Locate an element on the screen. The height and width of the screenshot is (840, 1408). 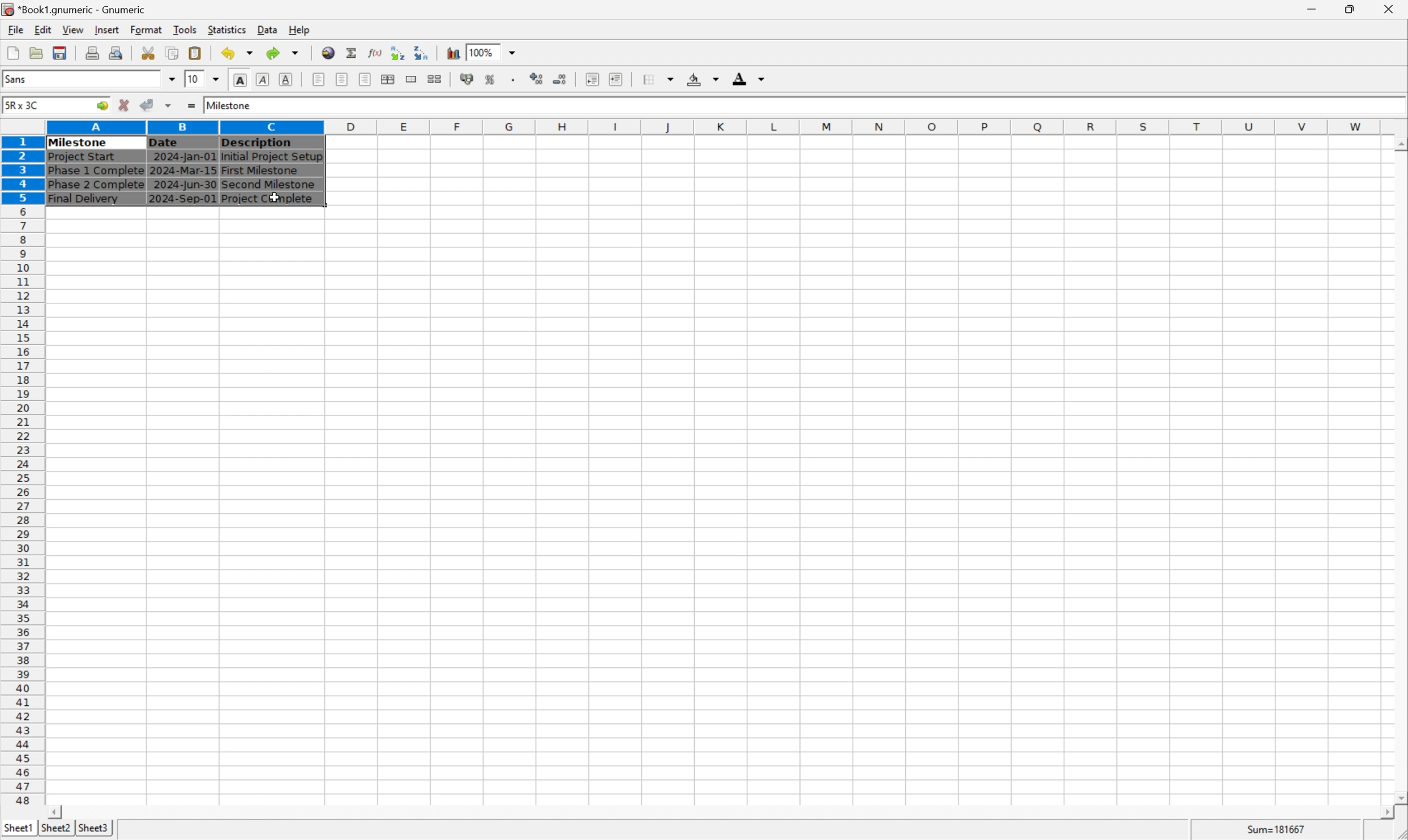
quick print is located at coordinates (117, 53).